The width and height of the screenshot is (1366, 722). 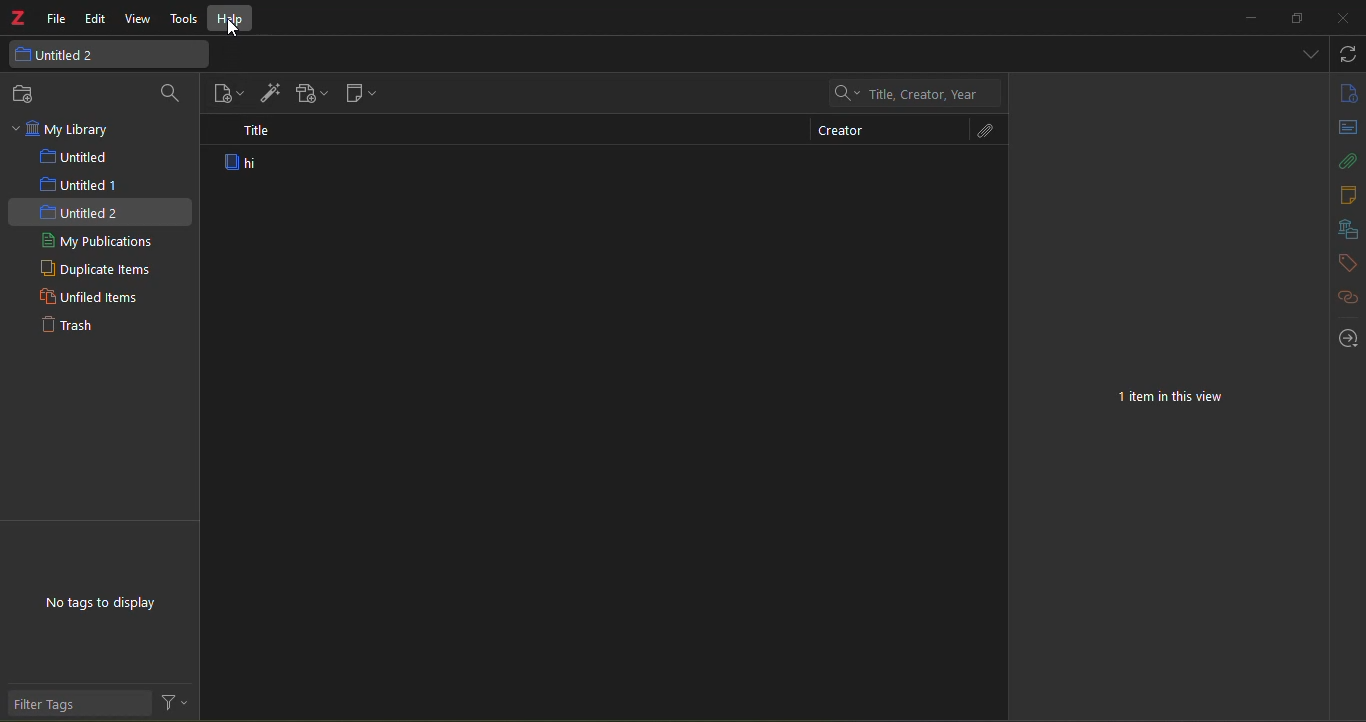 What do you see at coordinates (1347, 163) in the screenshot?
I see `attach` at bounding box center [1347, 163].